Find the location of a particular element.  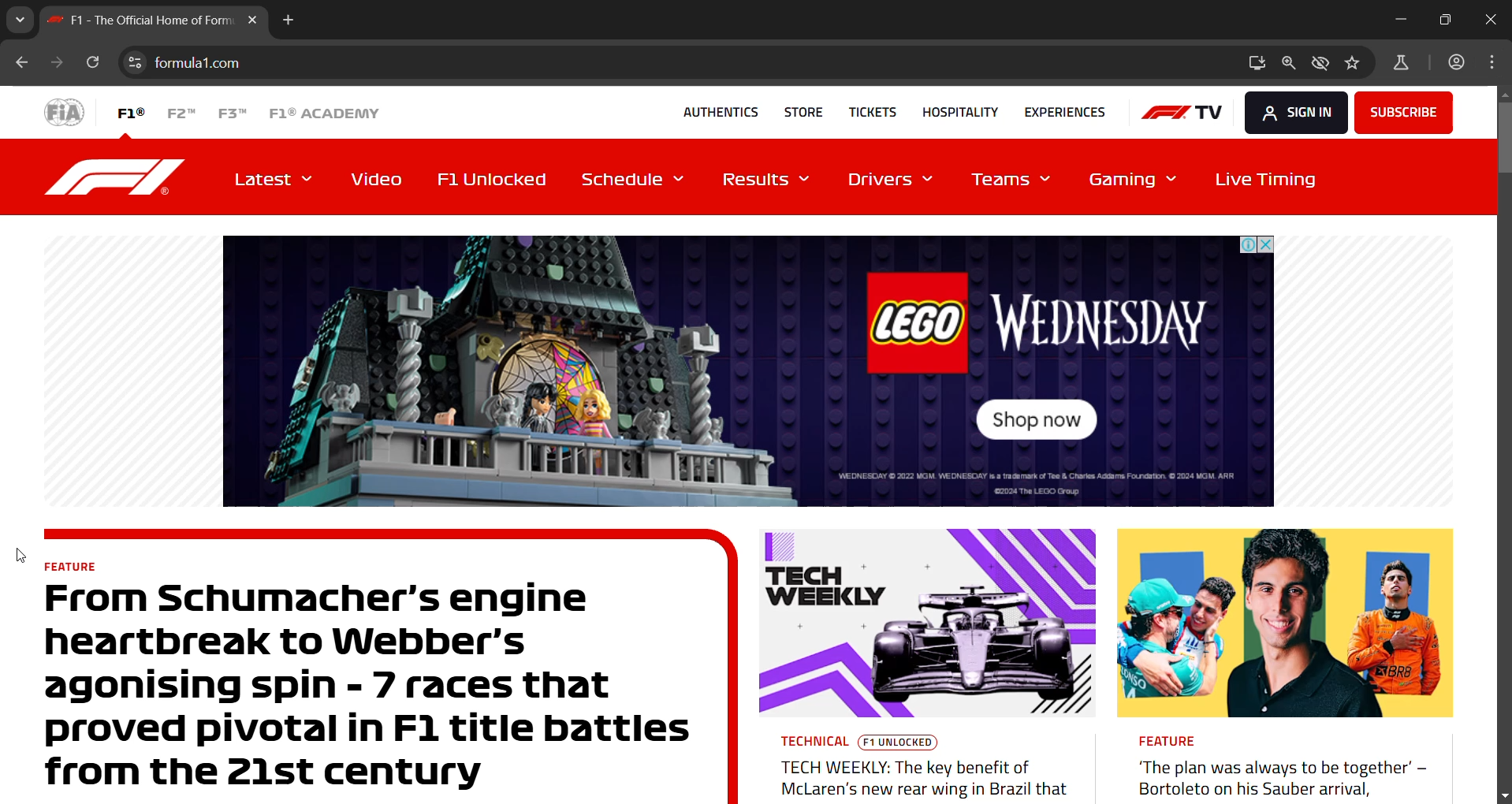

vertical scroll bar is located at coordinates (1503, 135).